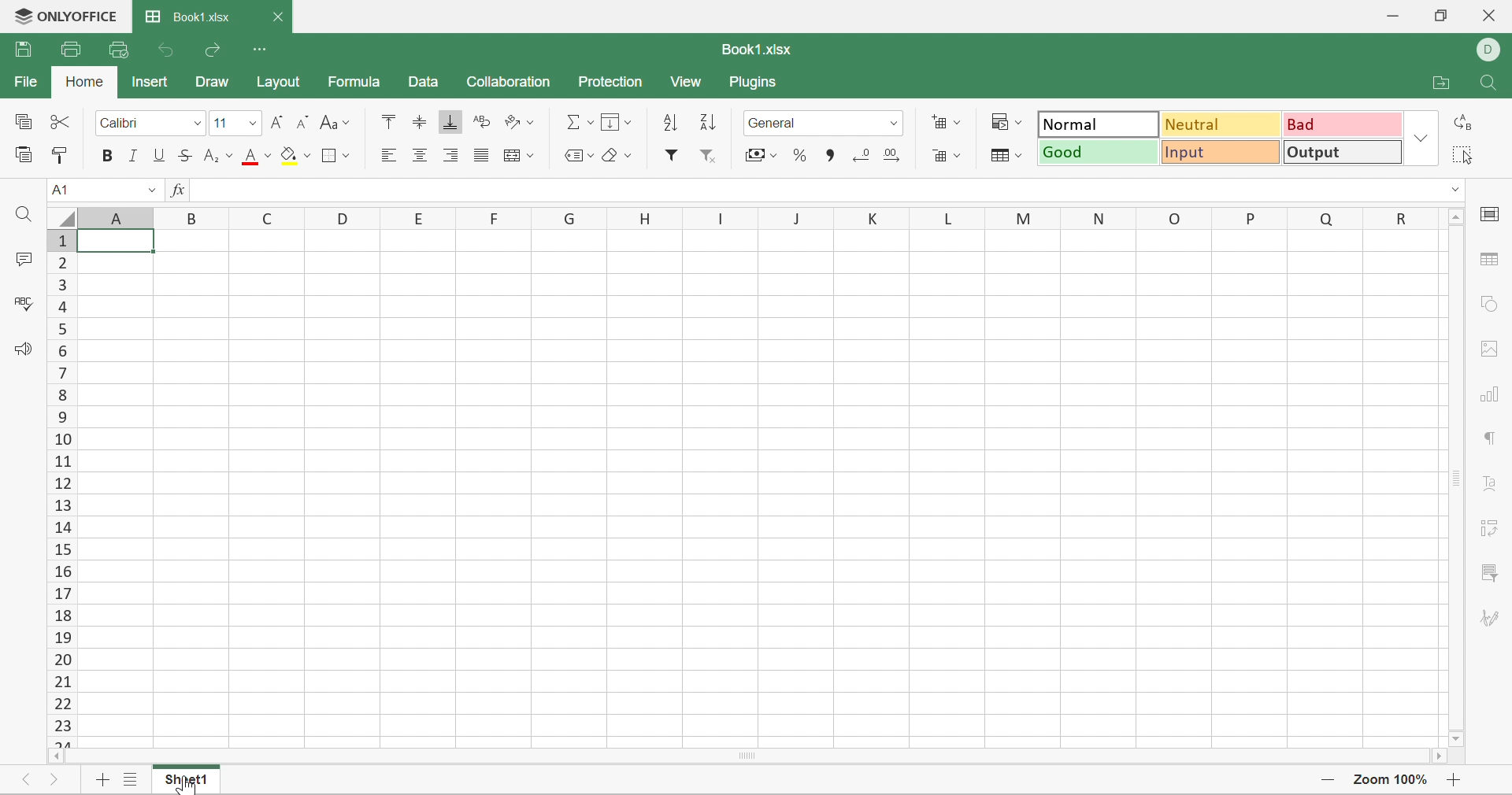 The height and width of the screenshot is (795, 1512). Describe the element at coordinates (1456, 741) in the screenshot. I see `Scroll down` at that location.